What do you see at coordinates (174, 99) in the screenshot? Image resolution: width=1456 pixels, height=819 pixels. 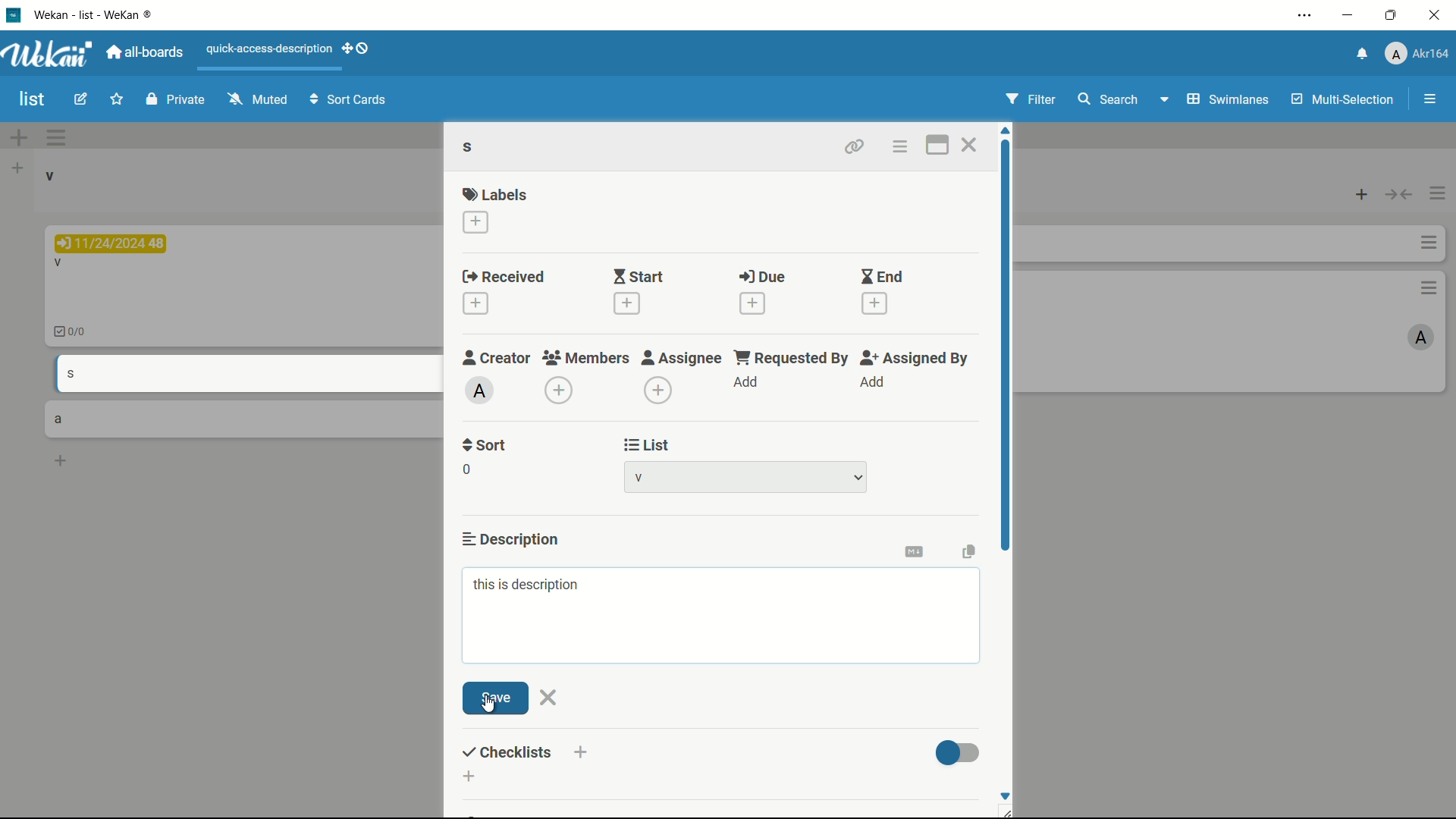 I see `private` at bounding box center [174, 99].